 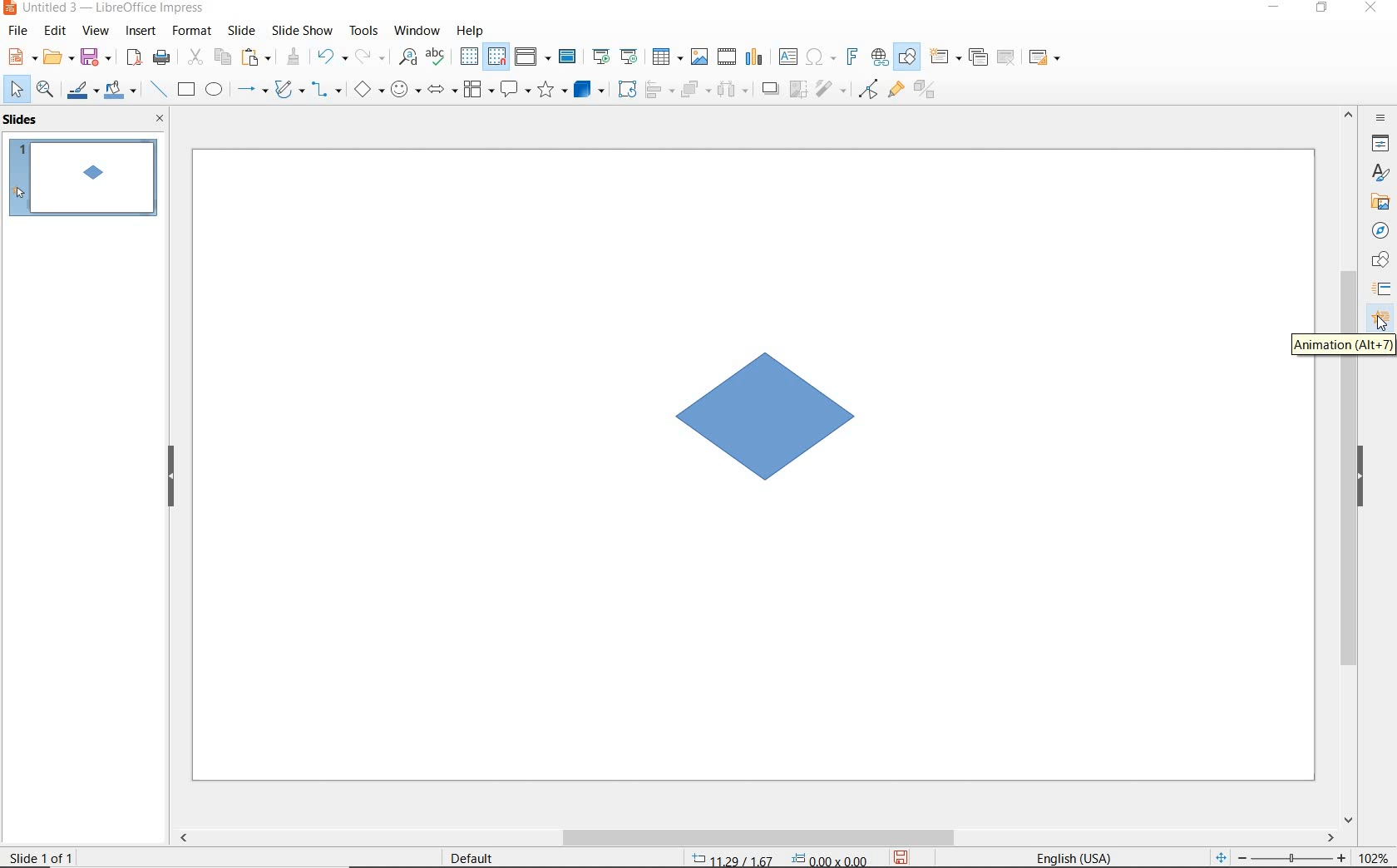 What do you see at coordinates (927, 91) in the screenshot?
I see `toggle extrusion` at bounding box center [927, 91].